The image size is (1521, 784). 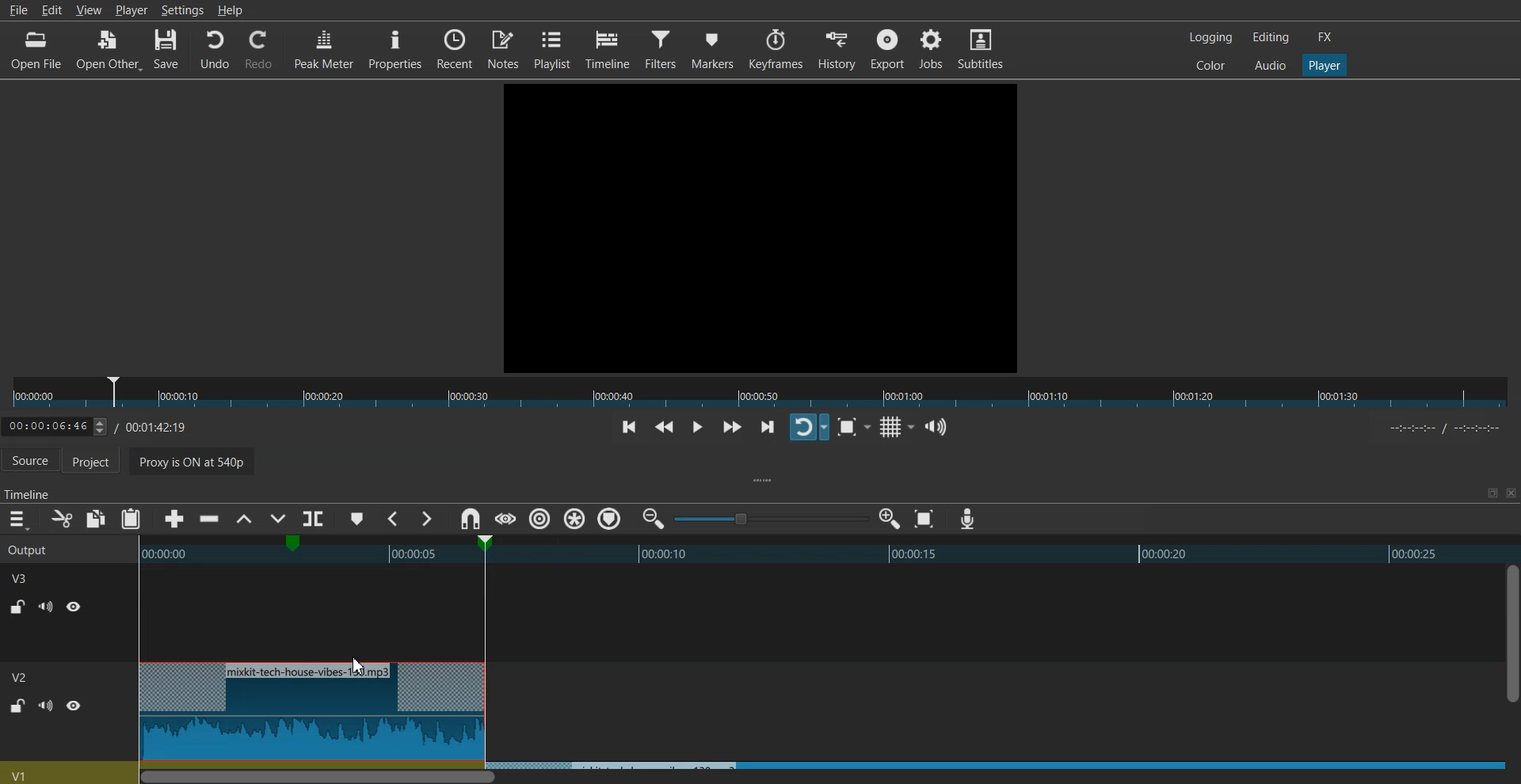 I want to click on Open Other, so click(x=109, y=51).